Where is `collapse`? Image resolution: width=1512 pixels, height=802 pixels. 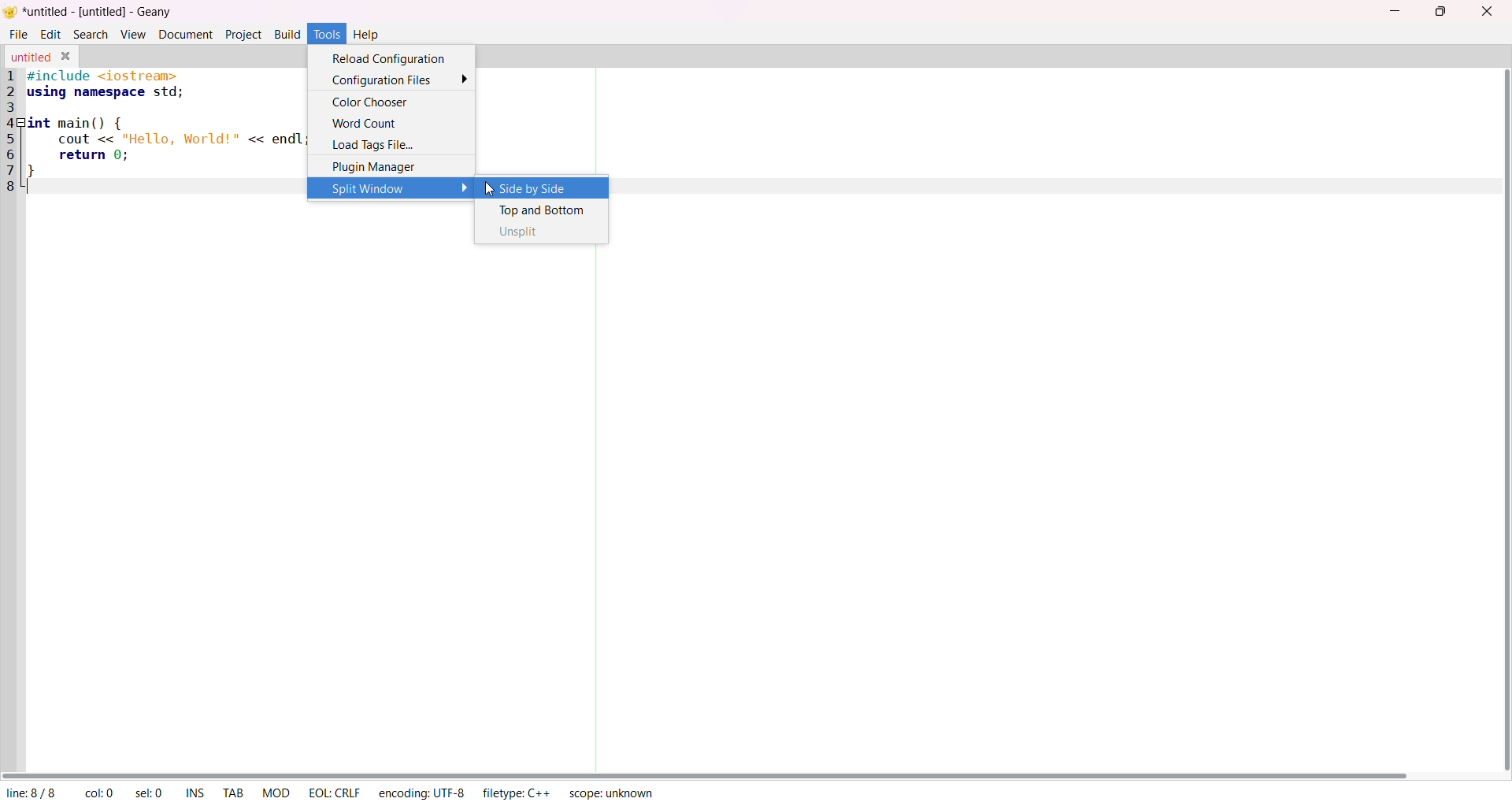
collapse is located at coordinates (20, 124).